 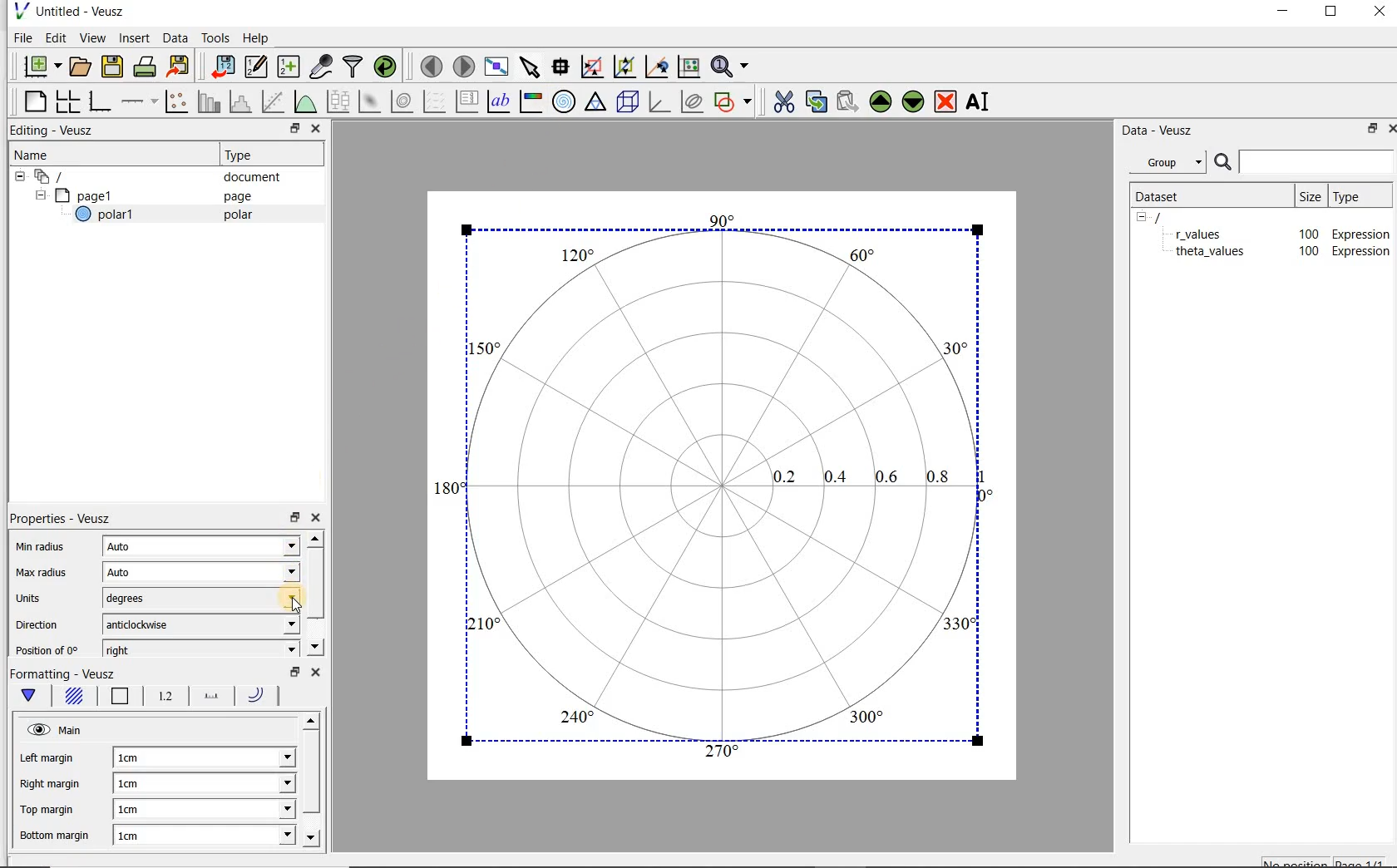 What do you see at coordinates (275, 101) in the screenshot?
I see `Fit a function to data` at bounding box center [275, 101].